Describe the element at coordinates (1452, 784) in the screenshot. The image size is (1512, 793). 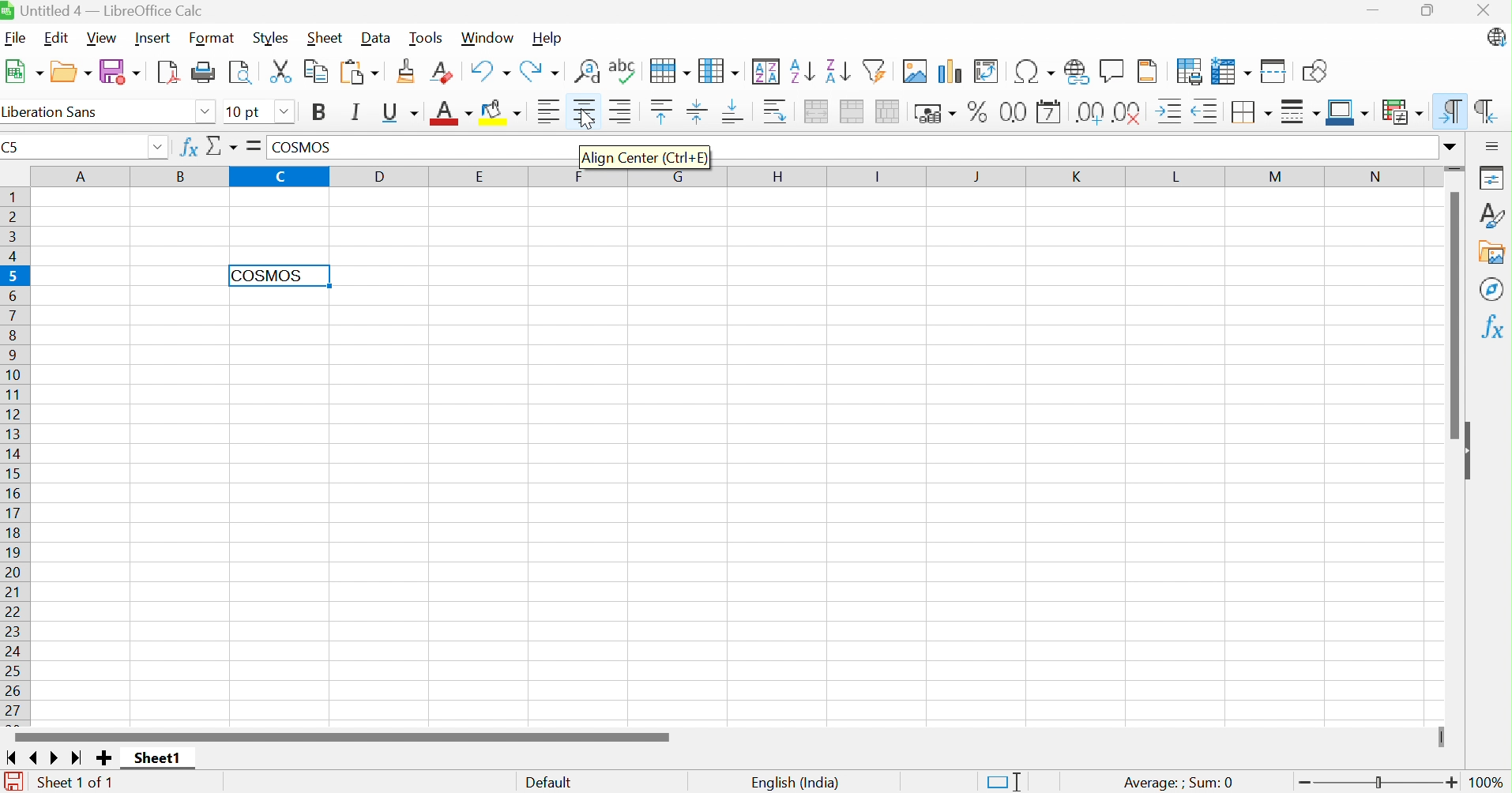
I see `Zoom In` at that location.